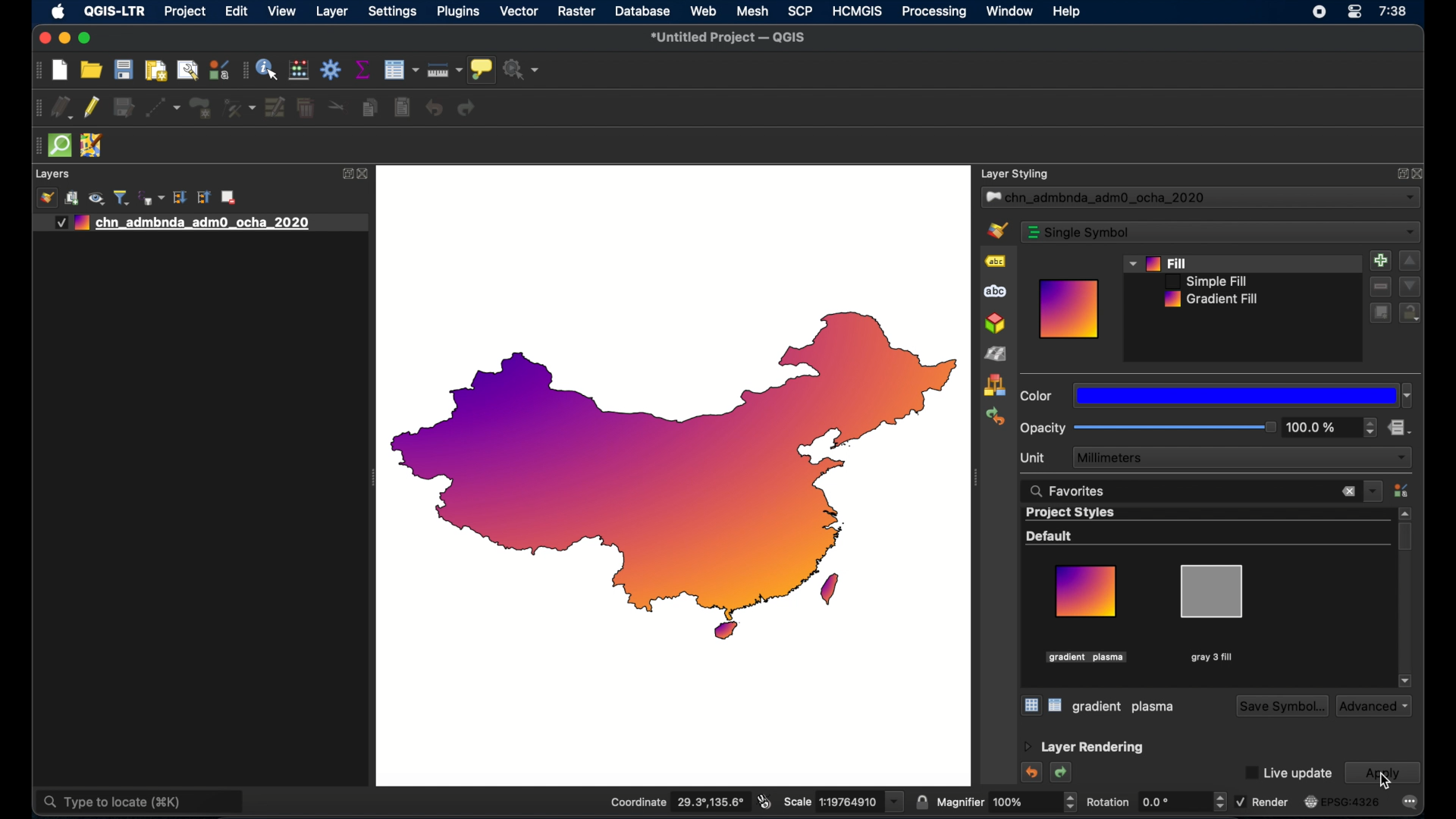 The image size is (1456, 819). What do you see at coordinates (1410, 802) in the screenshot?
I see `messages` at bounding box center [1410, 802].